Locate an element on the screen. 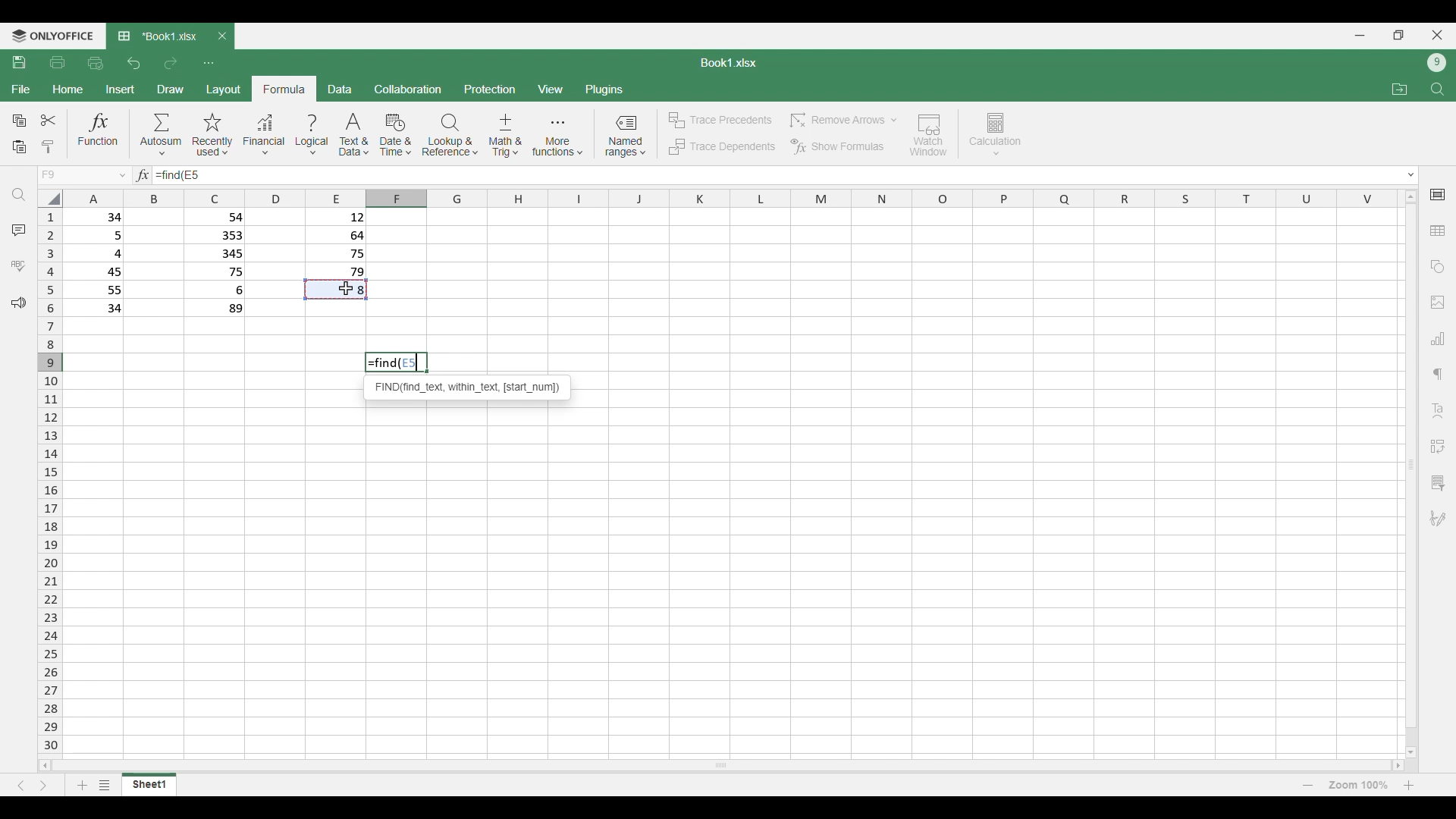  Quick print is located at coordinates (96, 64).